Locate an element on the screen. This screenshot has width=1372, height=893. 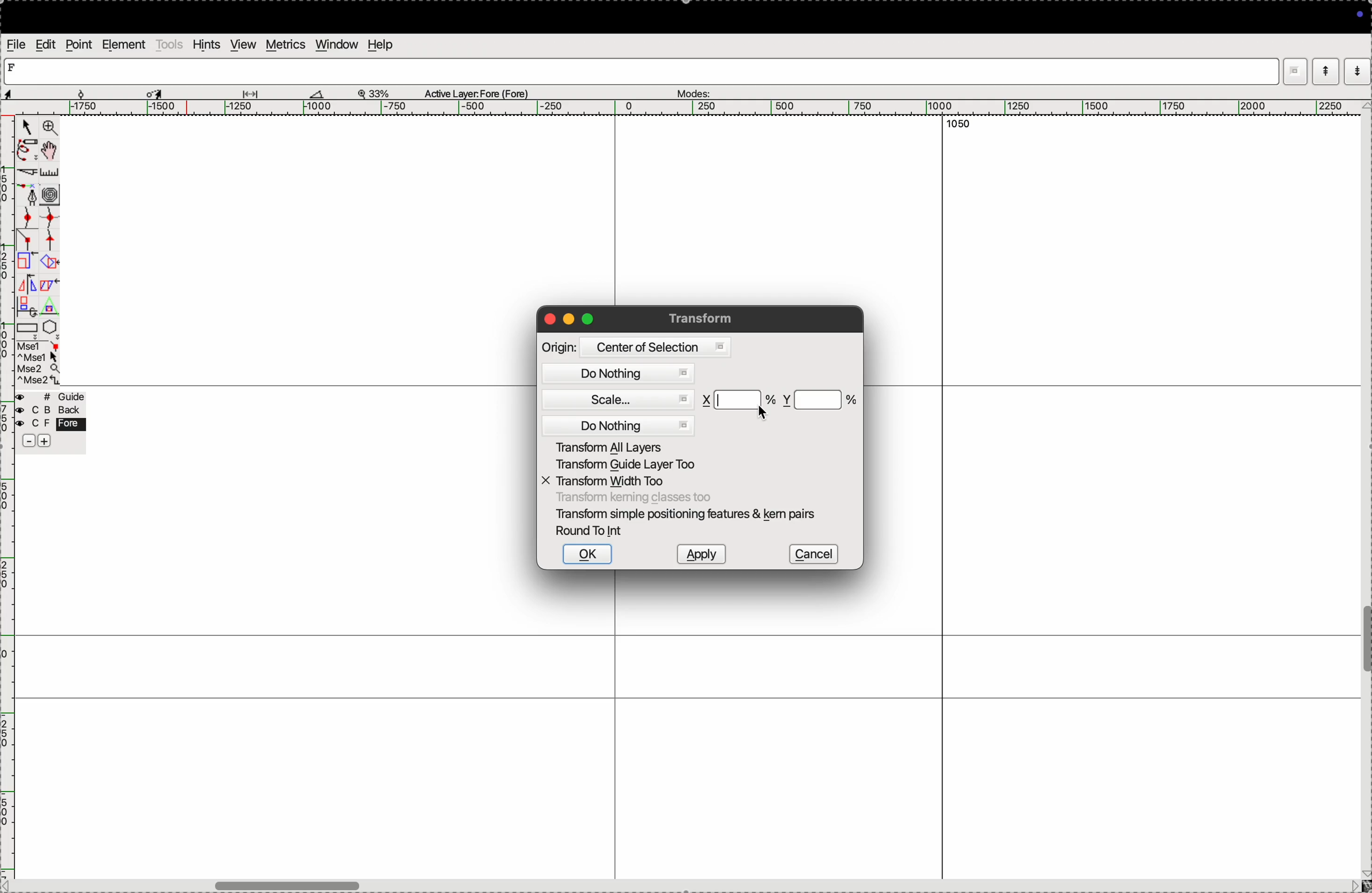
toogle is located at coordinates (1366, 643).